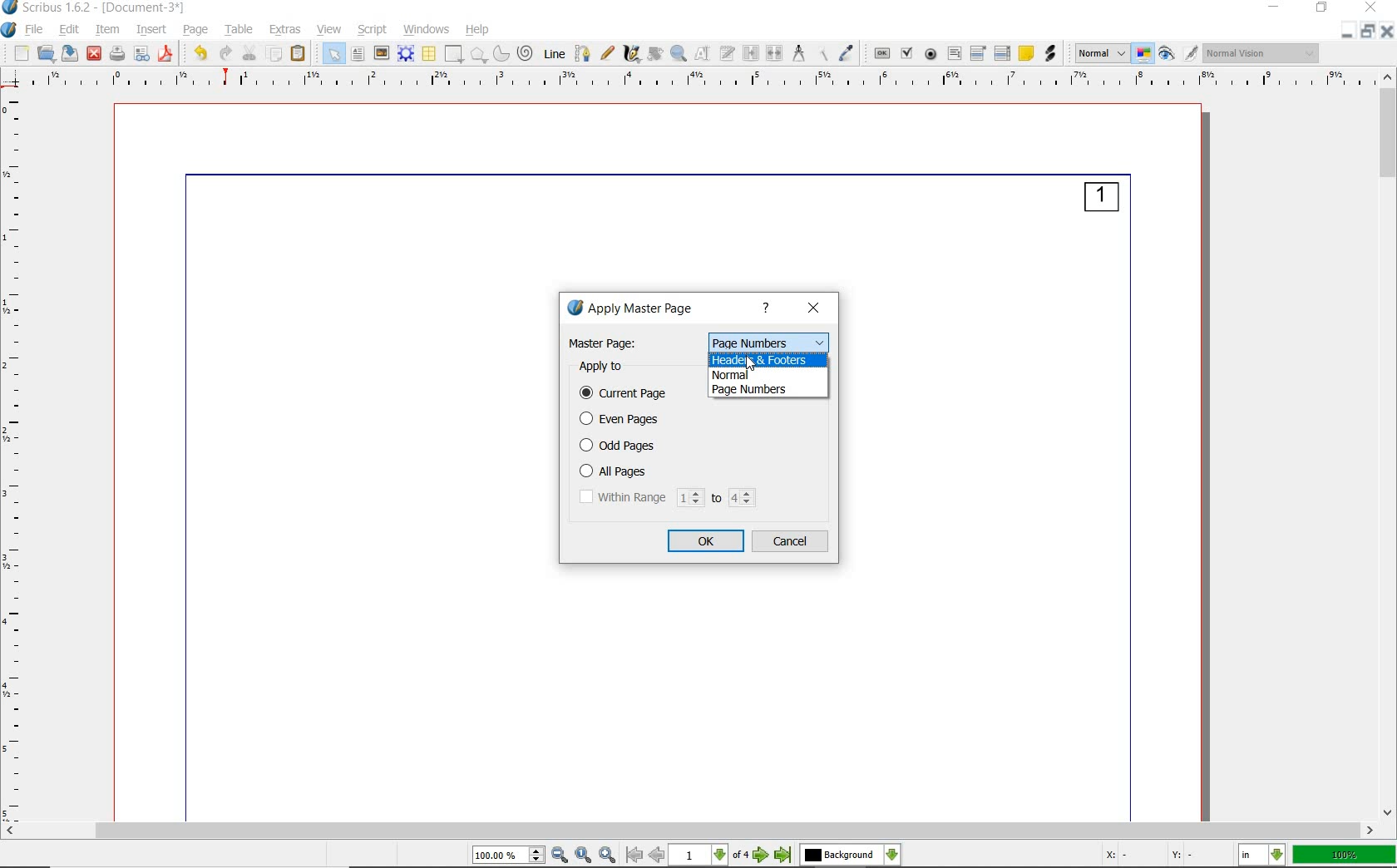  I want to click on script, so click(371, 31).